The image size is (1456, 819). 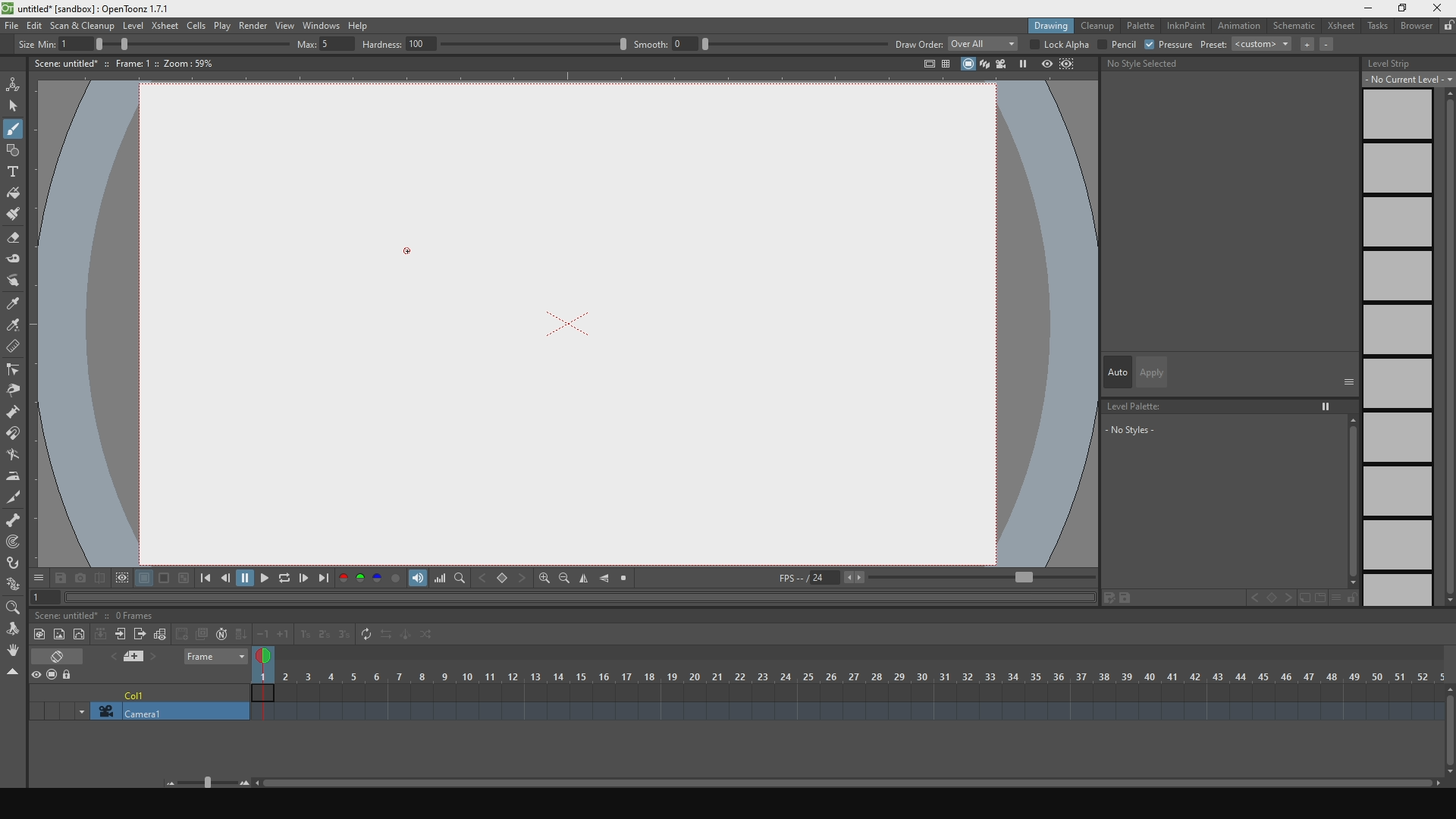 I want to click on pressure, so click(x=1170, y=45).